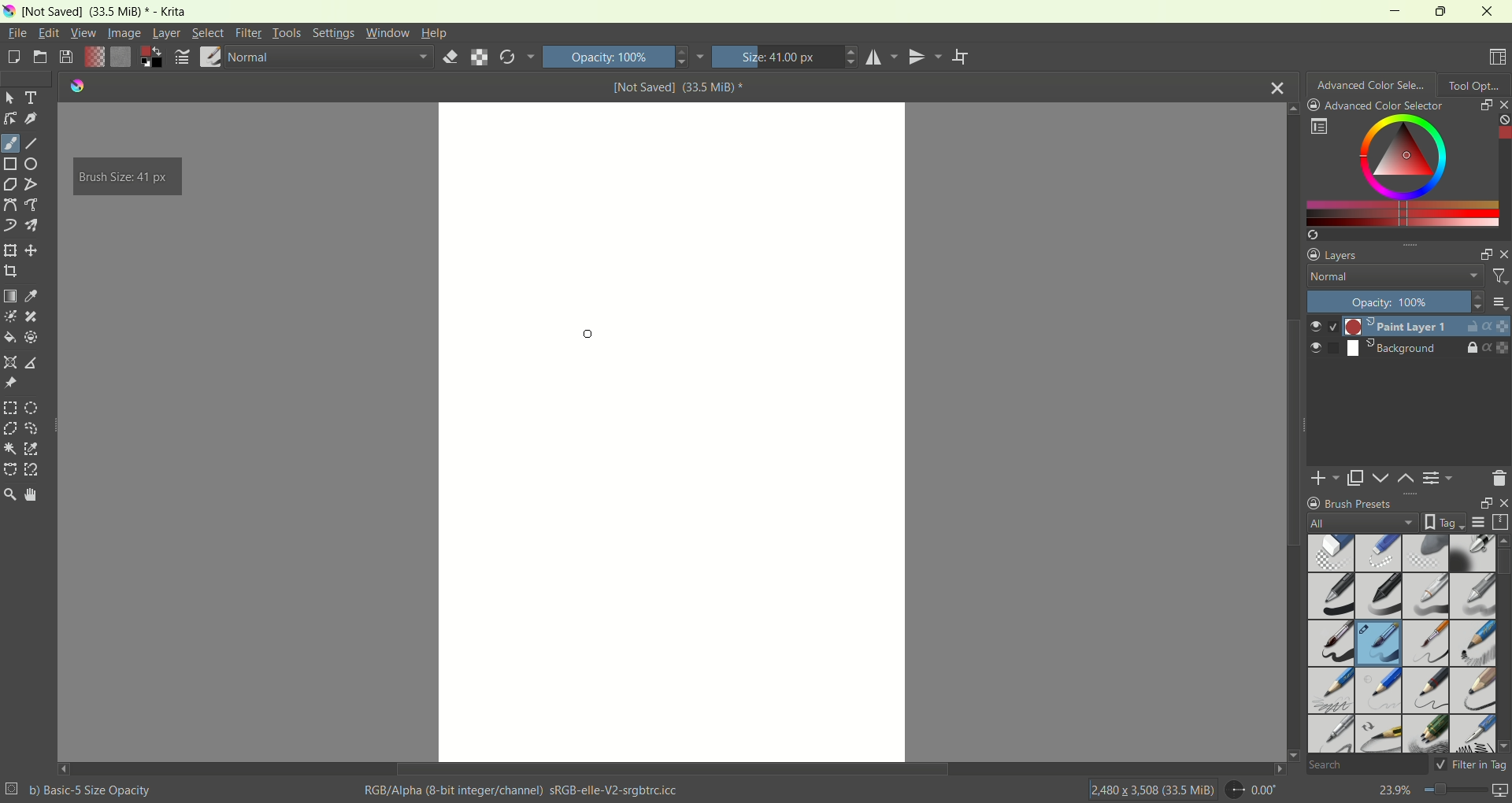 Image resolution: width=1512 pixels, height=803 pixels. What do you see at coordinates (1440, 522) in the screenshot?
I see `tags` at bounding box center [1440, 522].